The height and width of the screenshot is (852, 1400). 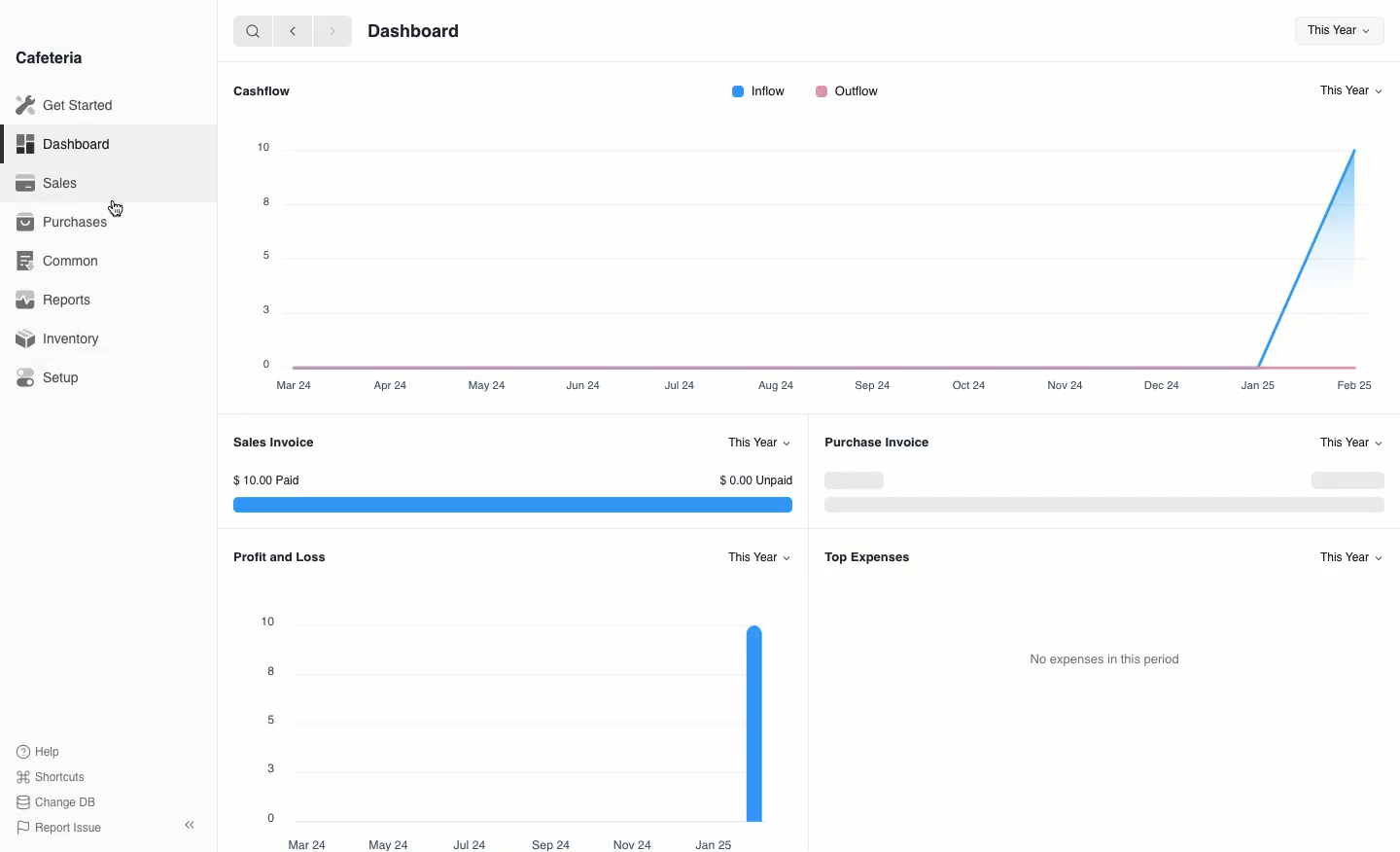 What do you see at coordinates (1347, 92) in the screenshot?
I see `This Year` at bounding box center [1347, 92].